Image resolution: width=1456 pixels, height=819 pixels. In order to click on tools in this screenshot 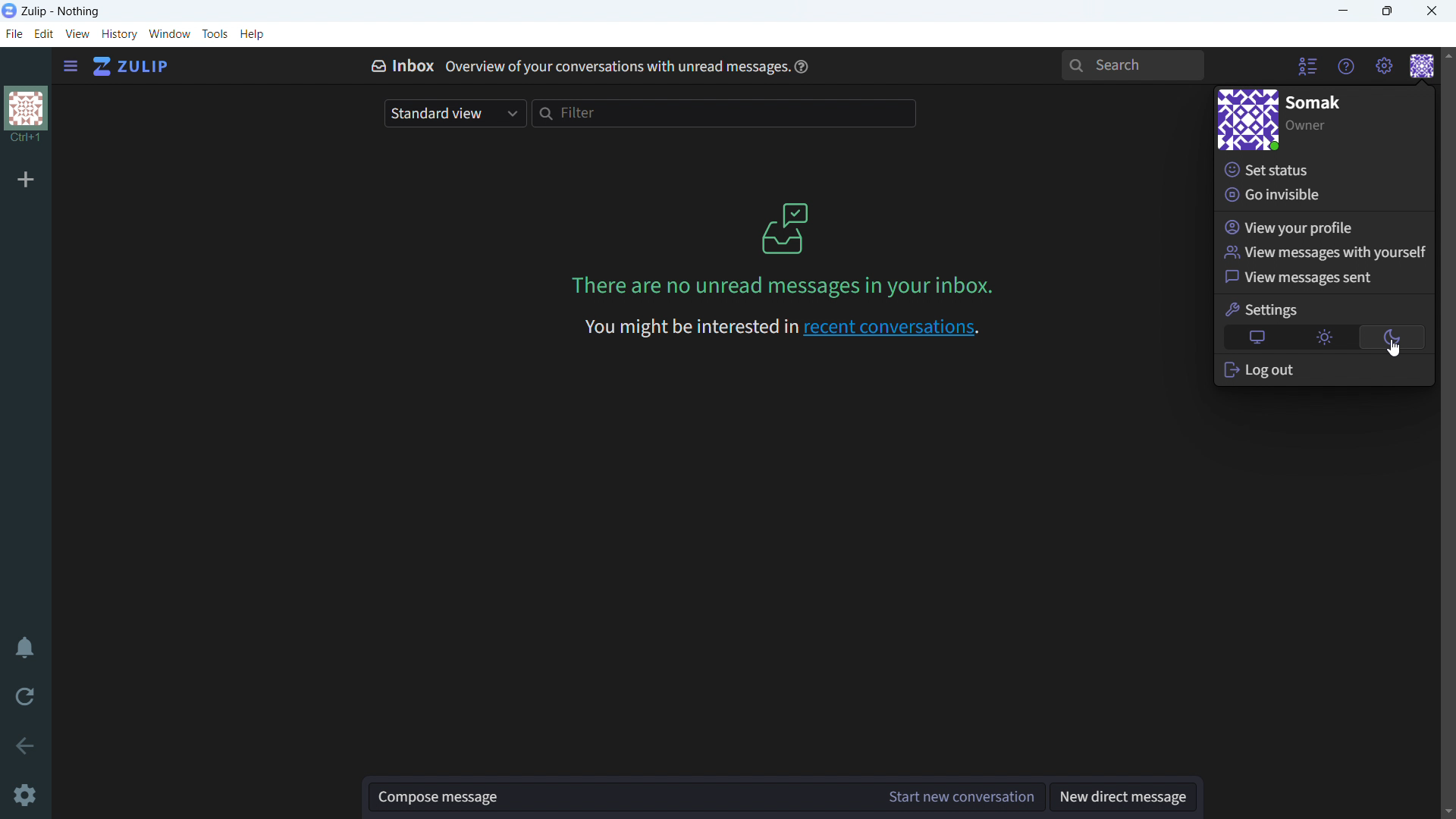, I will do `click(215, 35)`.